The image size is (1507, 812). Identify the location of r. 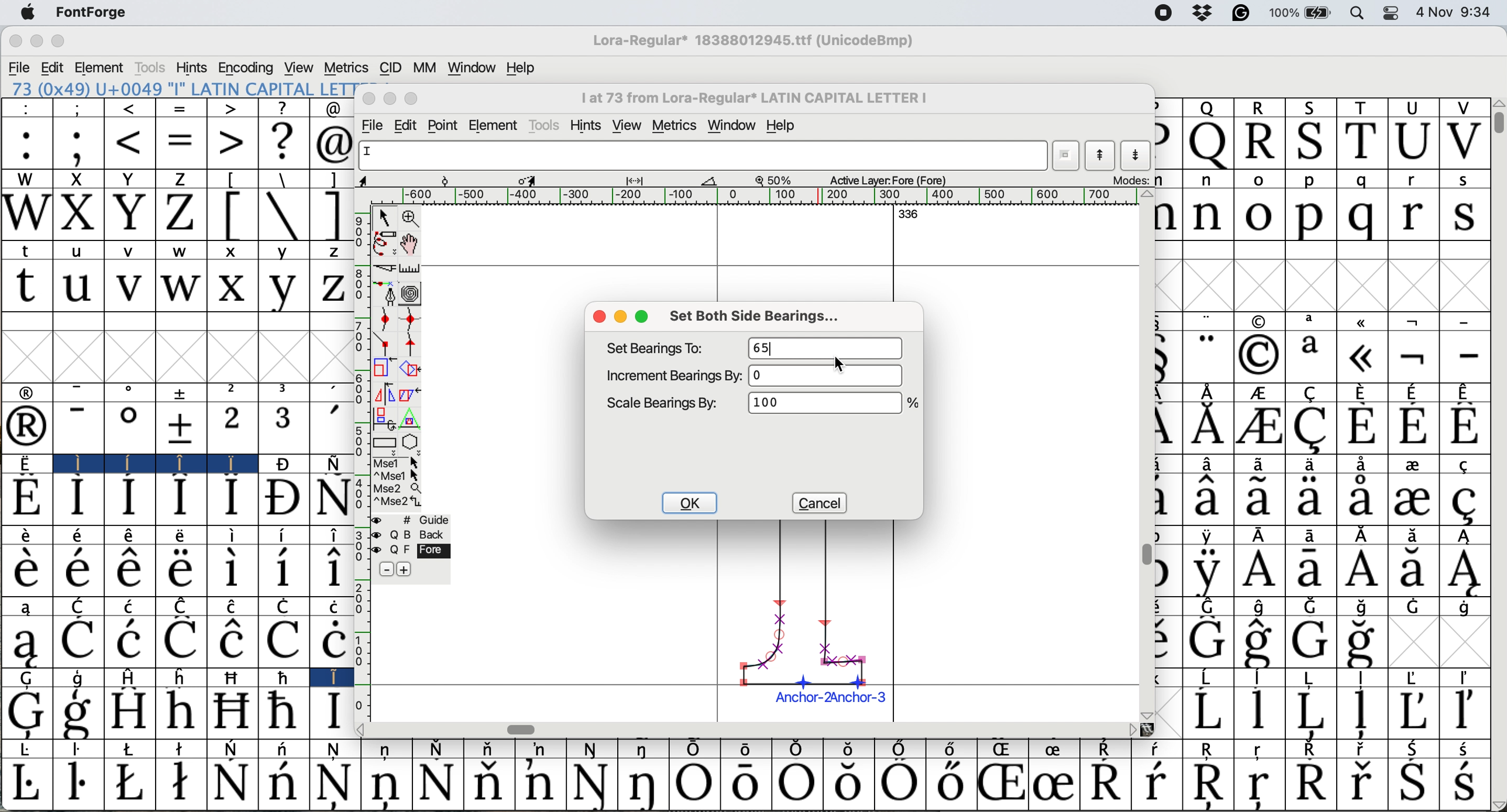
(1411, 180).